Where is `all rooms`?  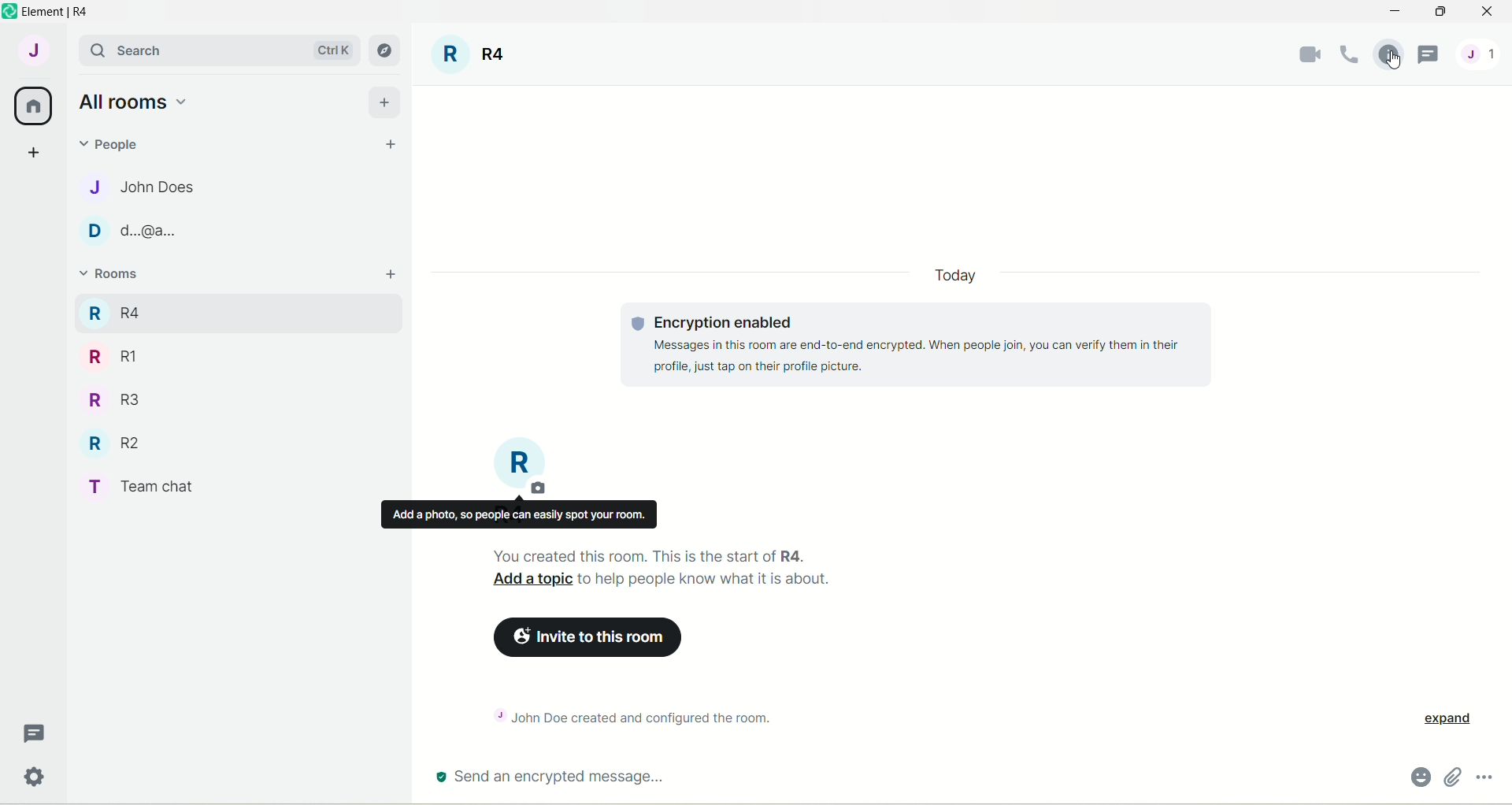
all rooms is located at coordinates (132, 101).